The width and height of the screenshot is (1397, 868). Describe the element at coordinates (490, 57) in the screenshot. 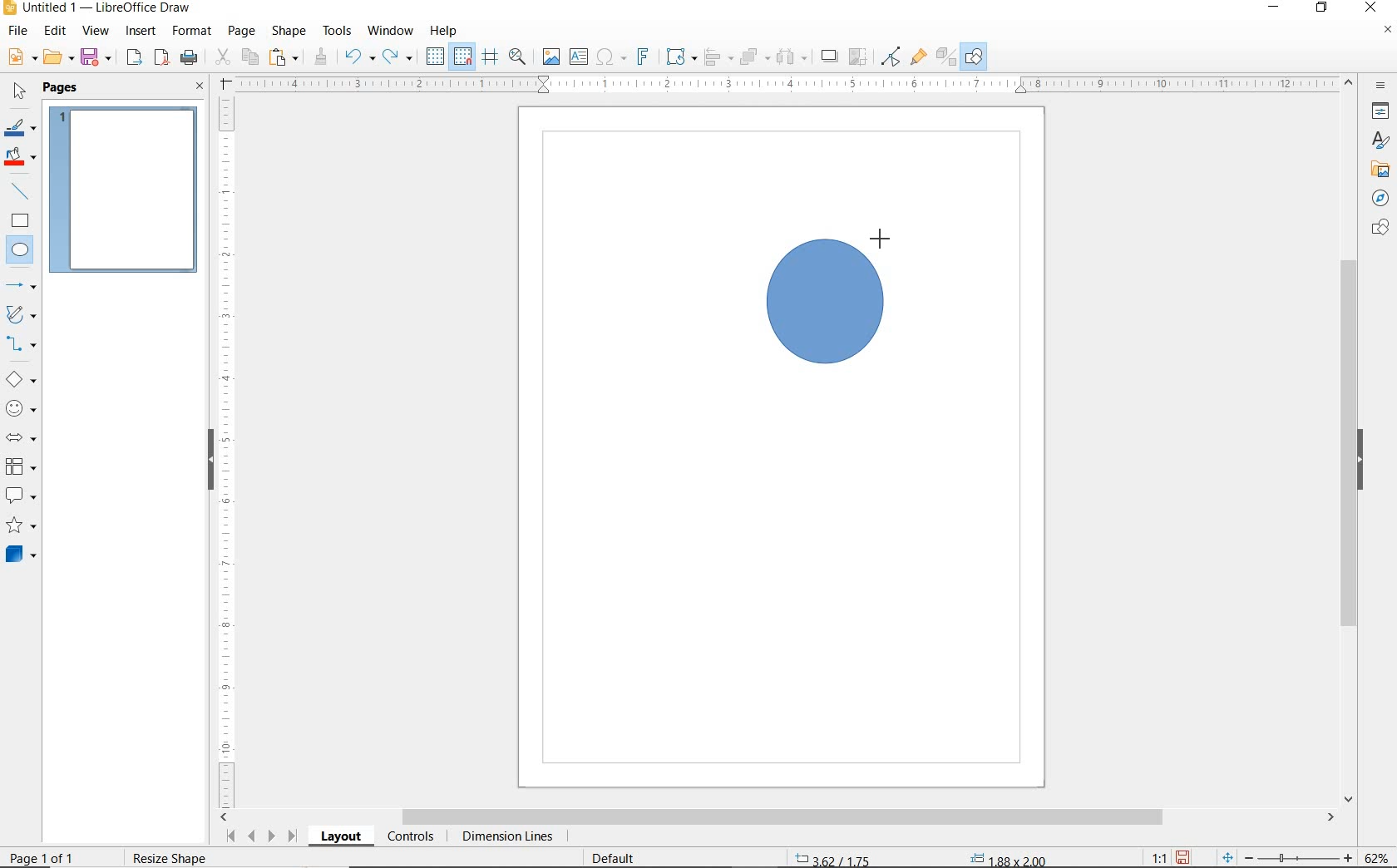

I see `HELPLINES WHILE MOVING` at that location.